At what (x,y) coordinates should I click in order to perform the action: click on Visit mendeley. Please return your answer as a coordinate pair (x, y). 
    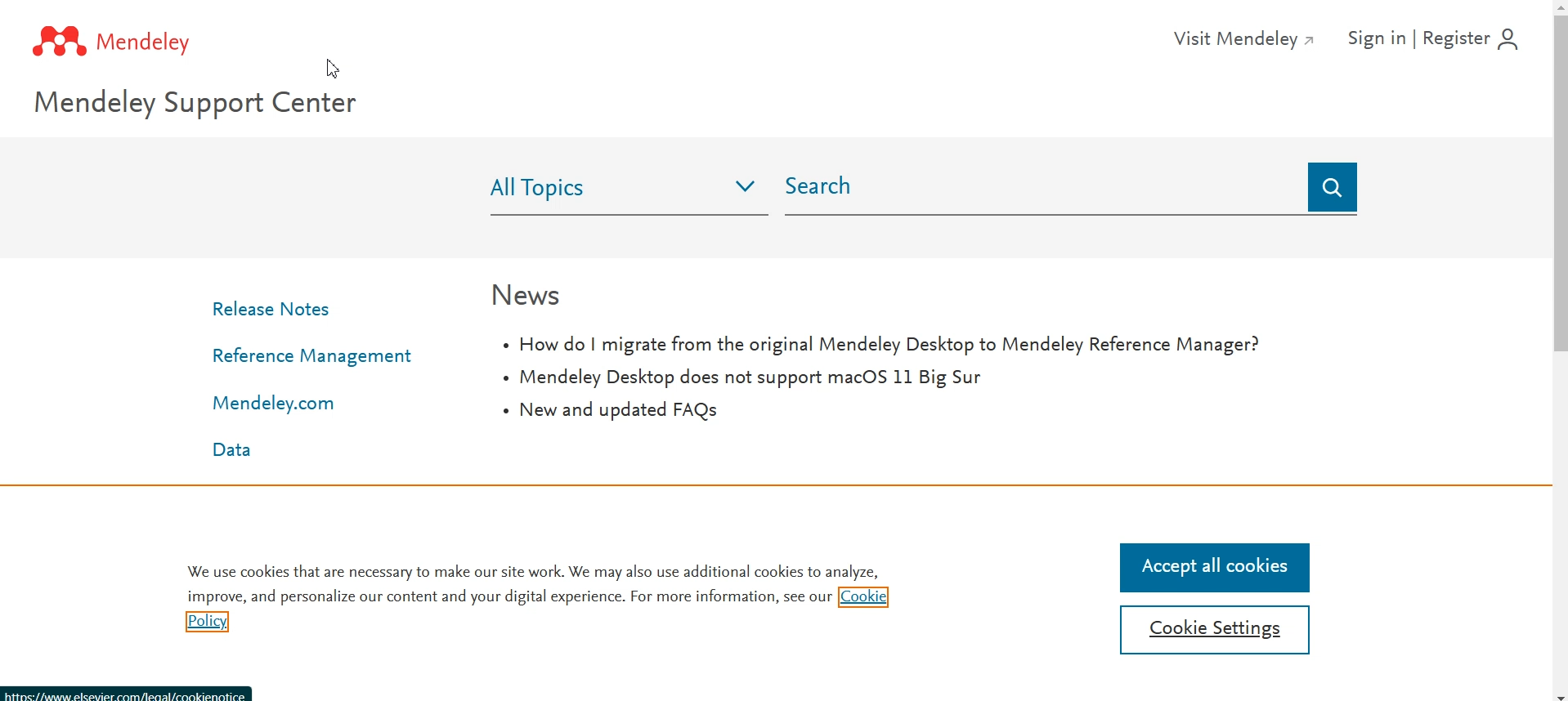
    Looking at the image, I should click on (1243, 38).